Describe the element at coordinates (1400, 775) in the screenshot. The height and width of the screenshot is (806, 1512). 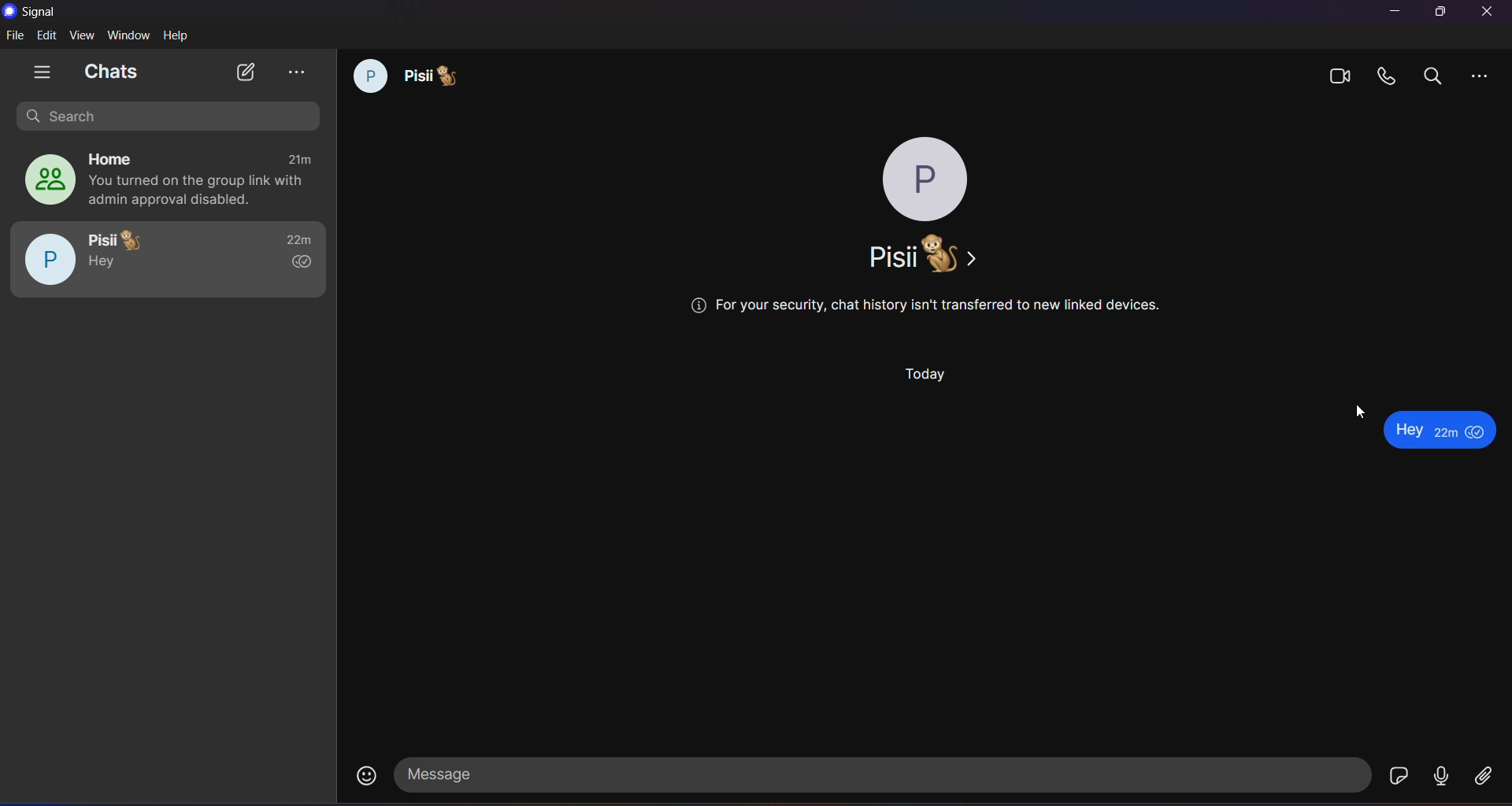
I see `stickers` at that location.